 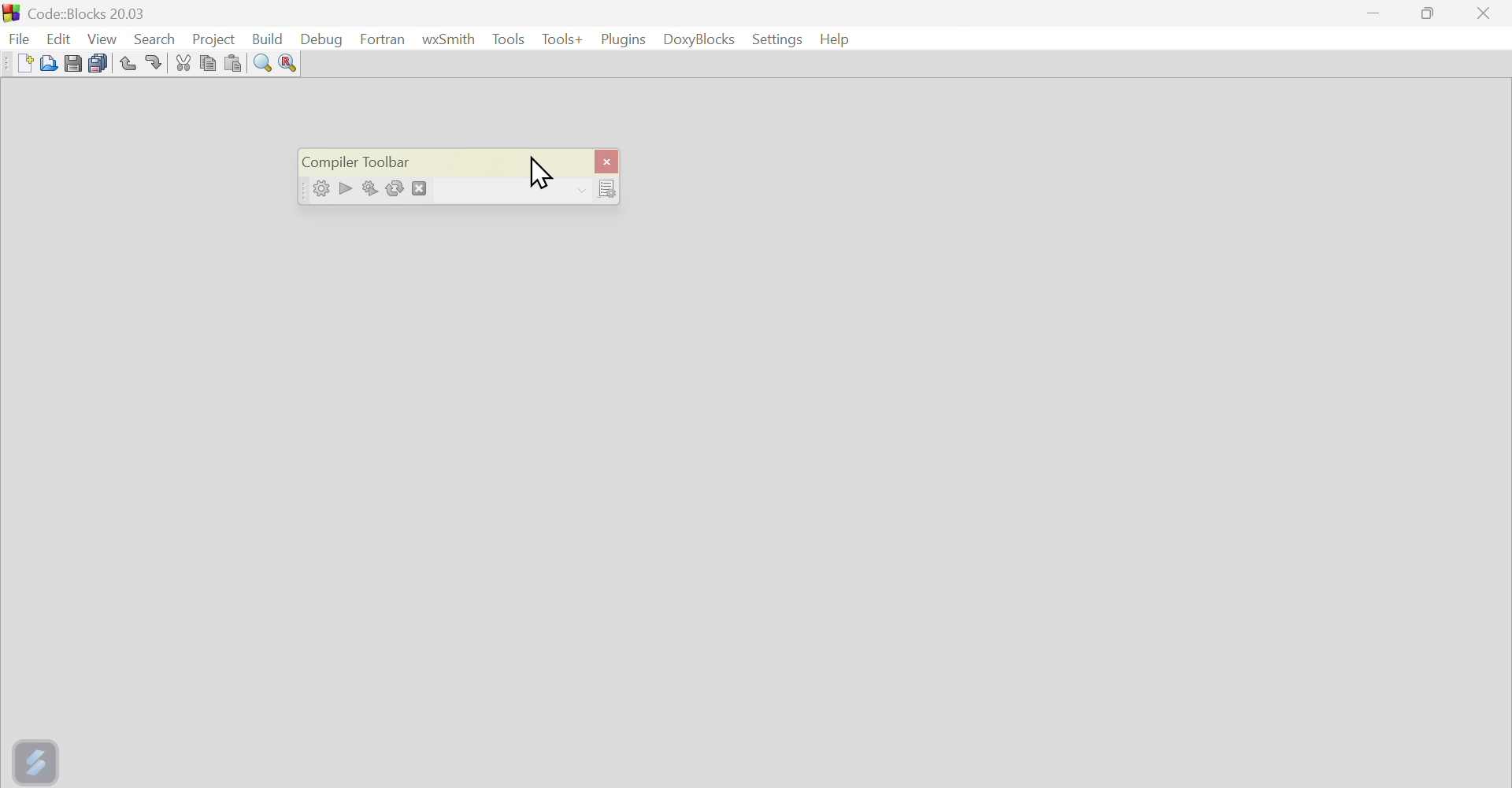 I want to click on Copy, so click(x=209, y=61).